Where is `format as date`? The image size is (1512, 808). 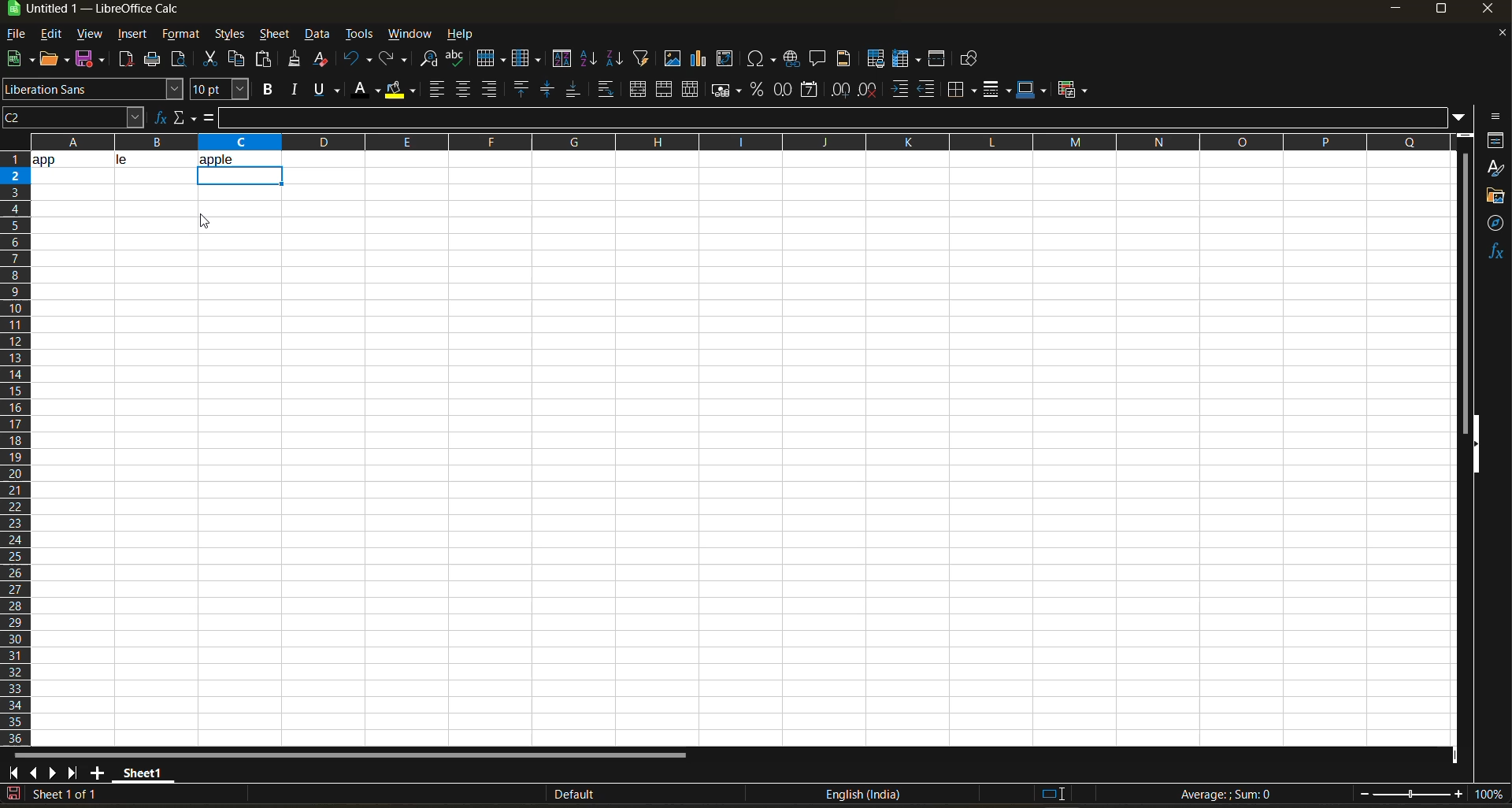 format as date is located at coordinates (813, 91).